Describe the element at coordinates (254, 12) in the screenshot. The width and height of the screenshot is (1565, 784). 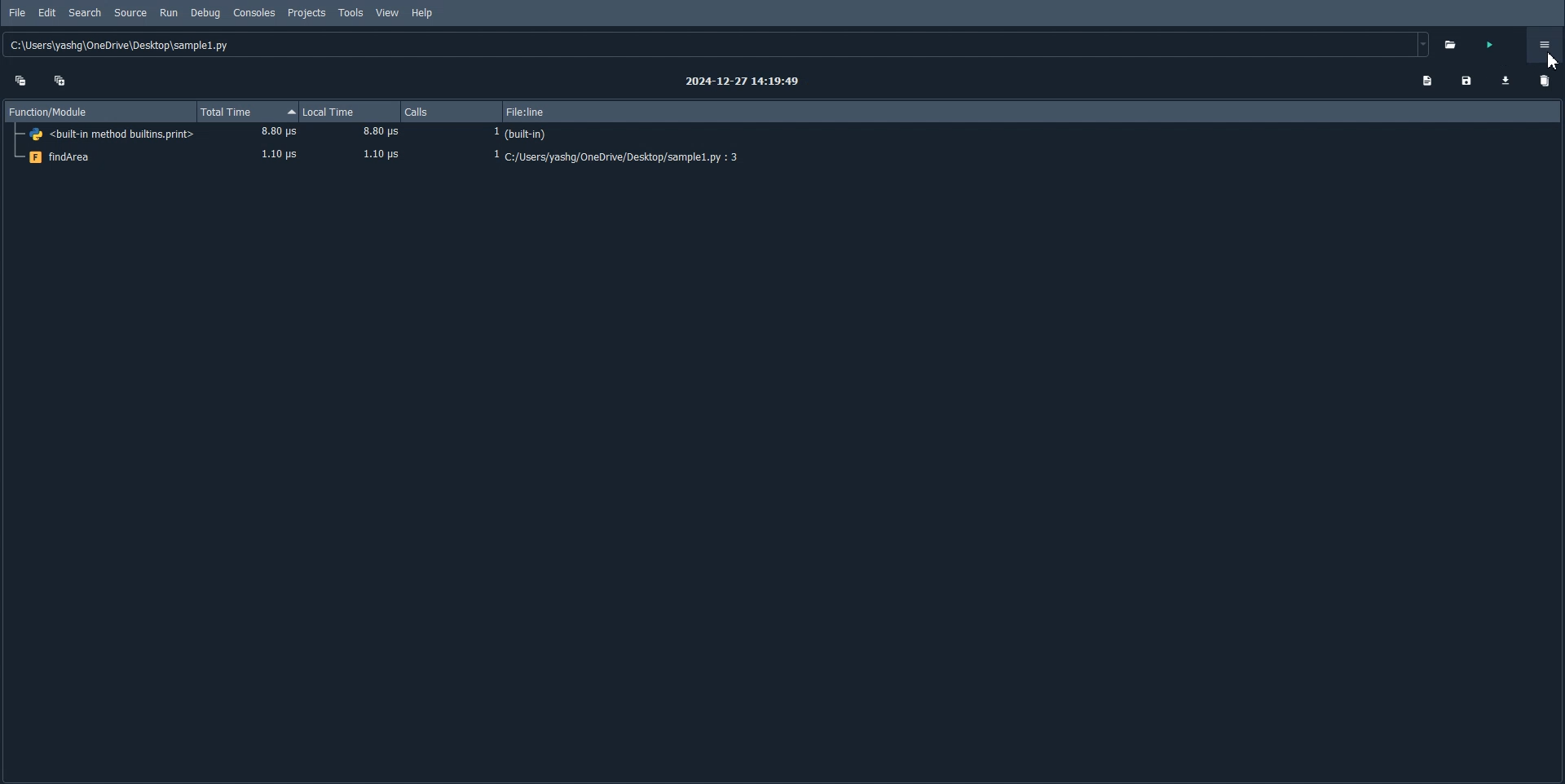
I see `Consoles` at that location.